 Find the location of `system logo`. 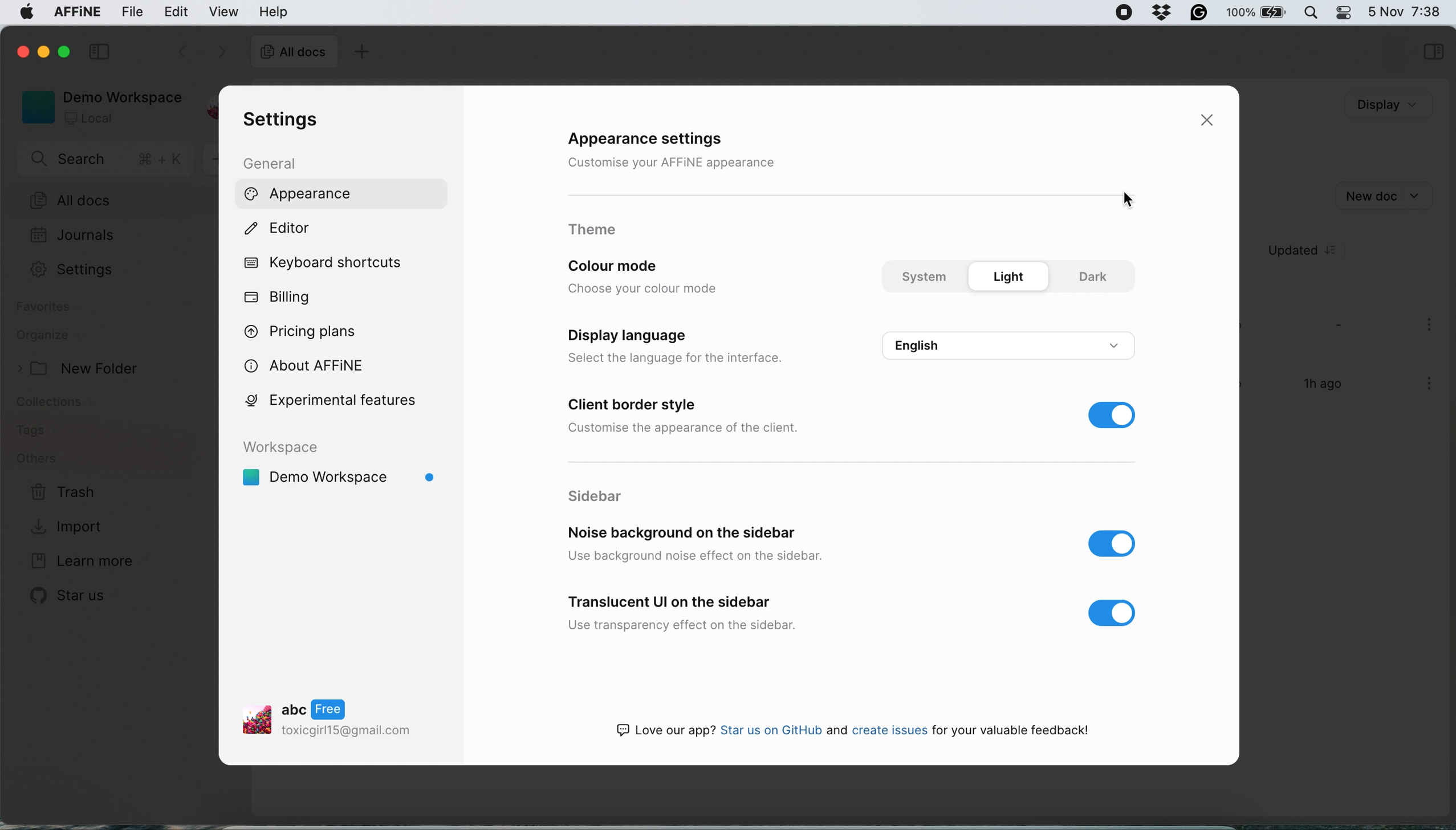

system logo is located at coordinates (26, 15).